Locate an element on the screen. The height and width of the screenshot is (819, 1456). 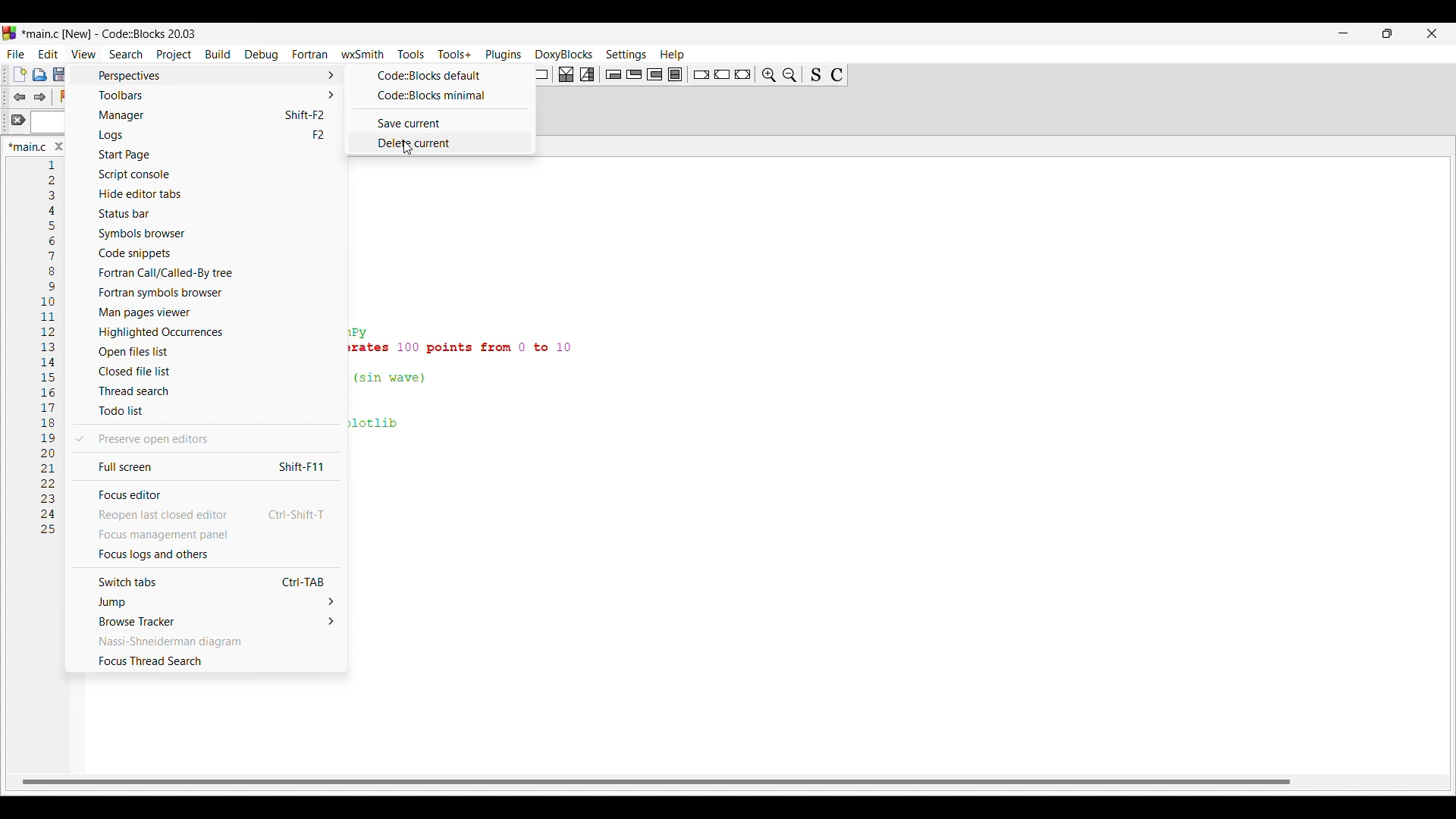
Manager is located at coordinates (210, 116).